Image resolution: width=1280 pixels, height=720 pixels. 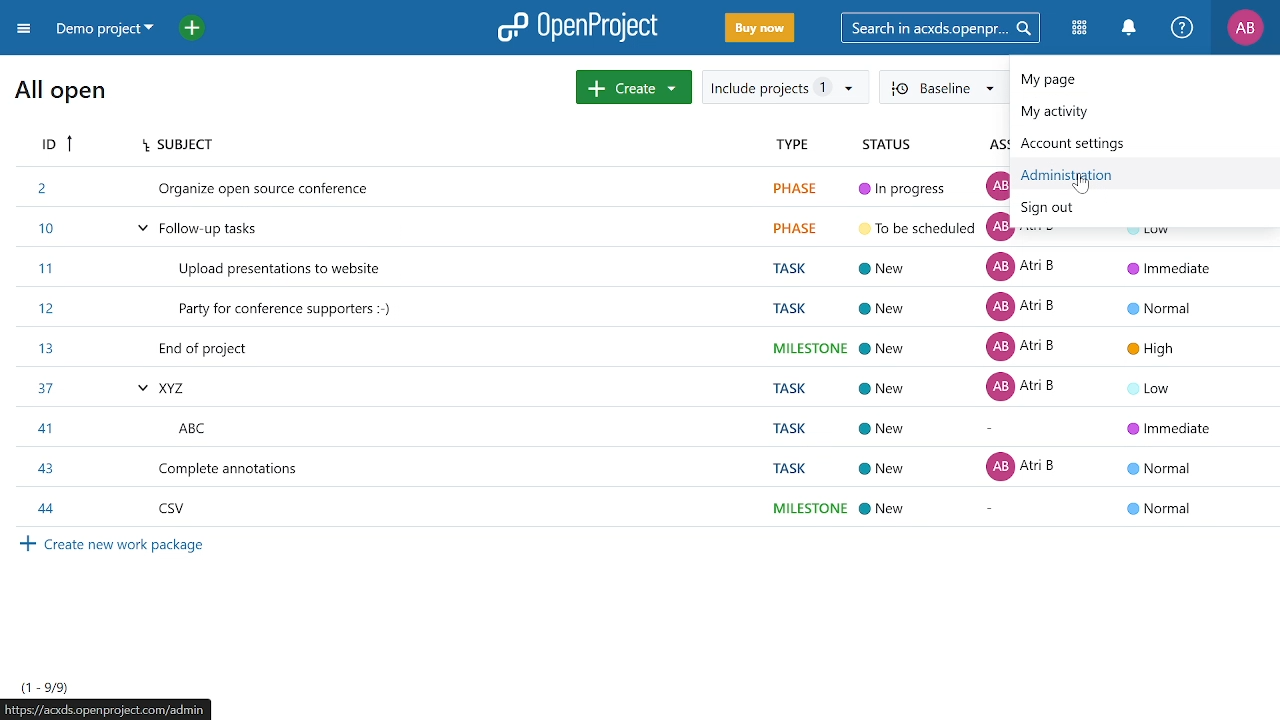 What do you see at coordinates (44, 347) in the screenshot?
I see `Task numbers/ID` at bounding box center [44, 347].